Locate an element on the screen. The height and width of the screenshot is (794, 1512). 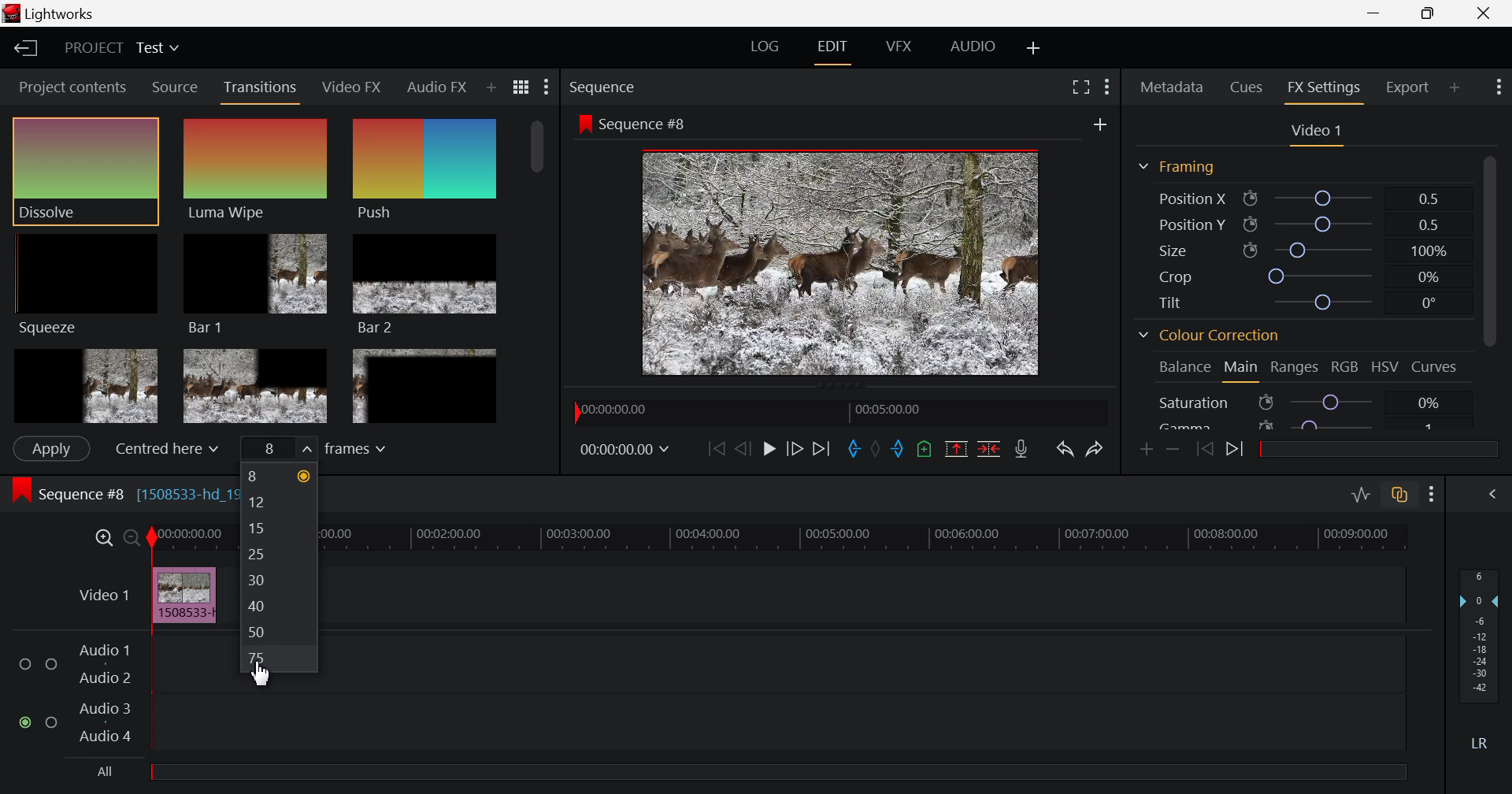
Audio Input Field is located at coordinates (113, 697).